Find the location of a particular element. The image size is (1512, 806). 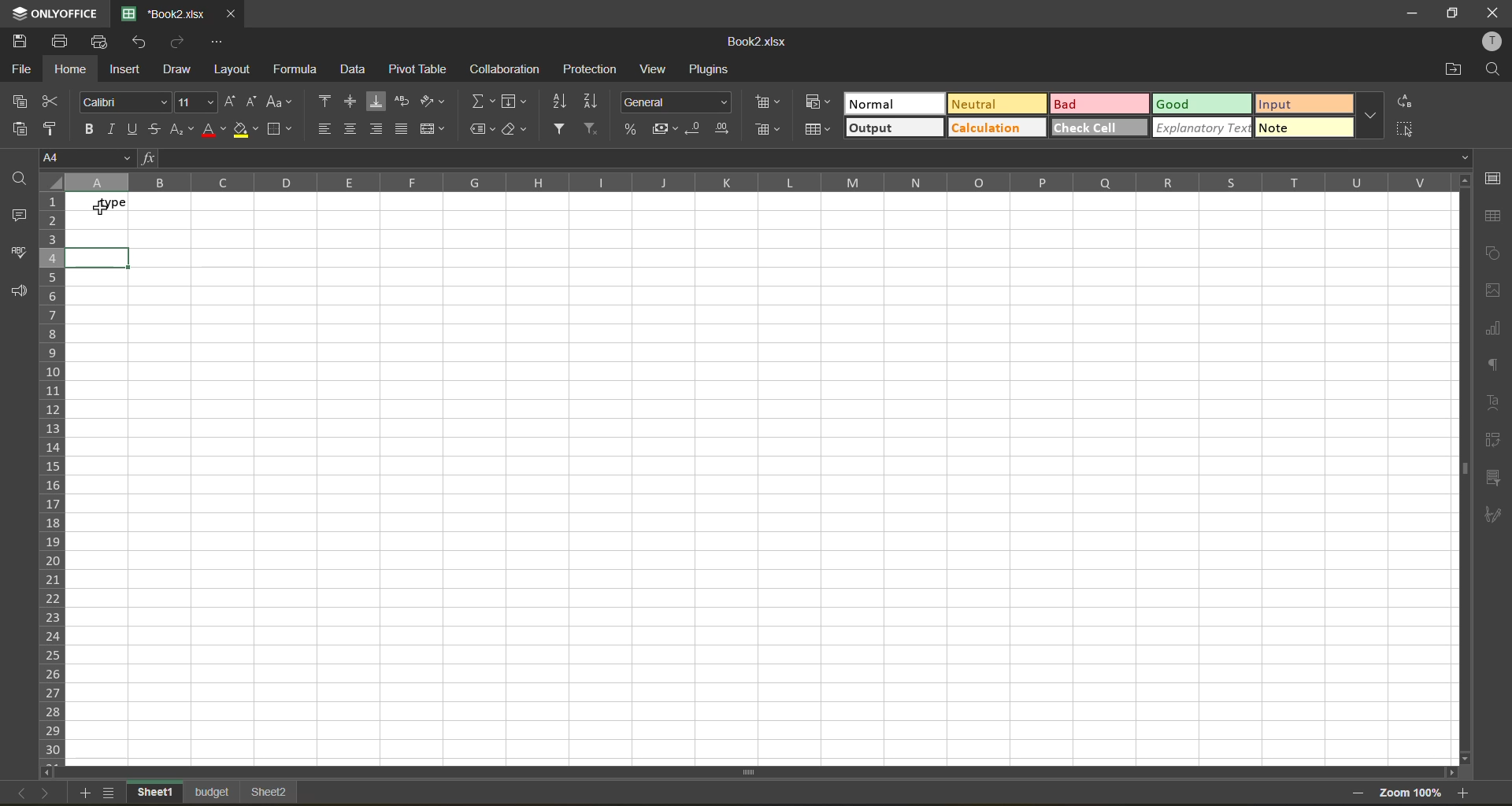

align center is located at coordinates (353, 128).